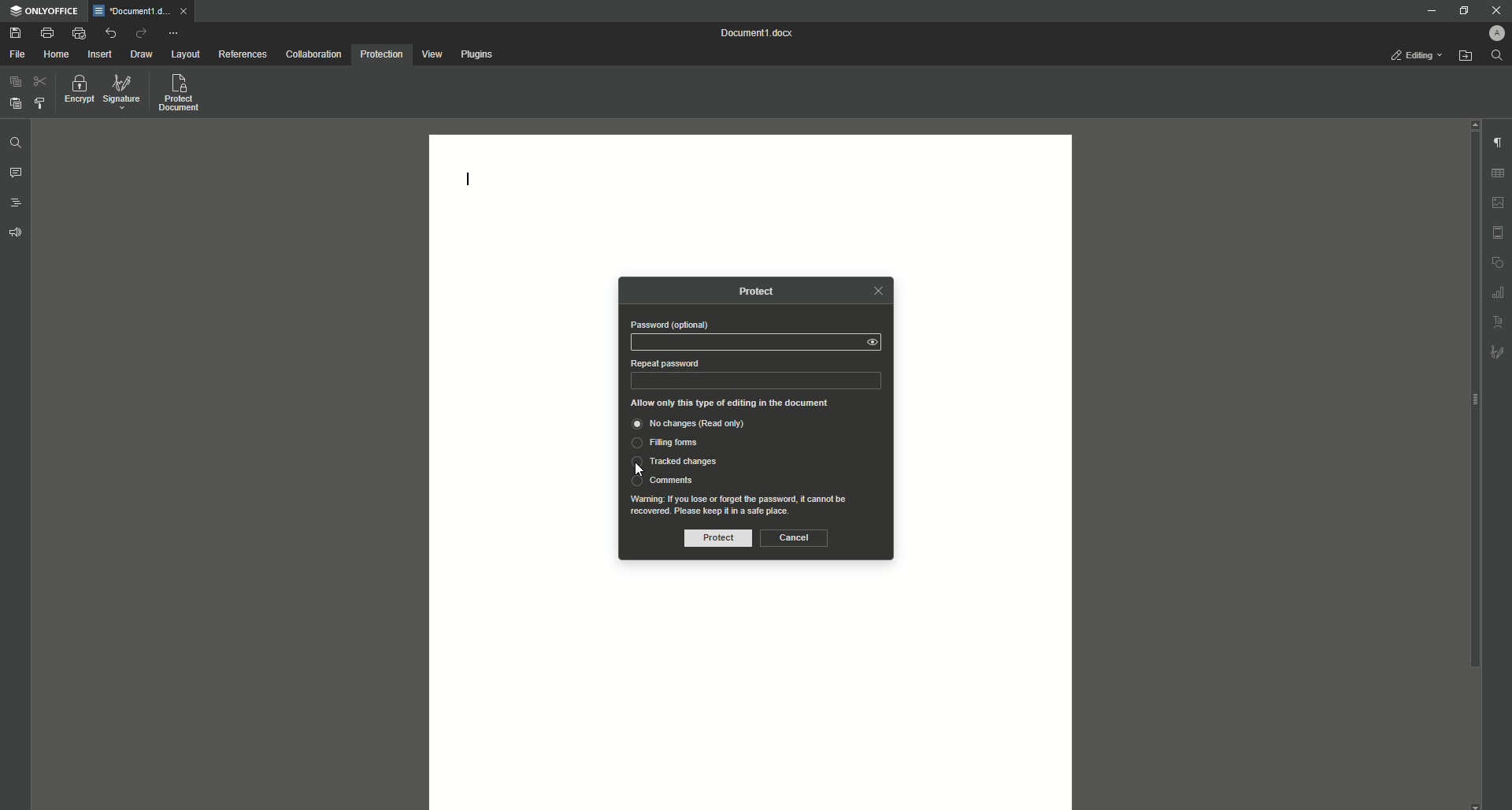  I want to click on close, so click(183, 11).